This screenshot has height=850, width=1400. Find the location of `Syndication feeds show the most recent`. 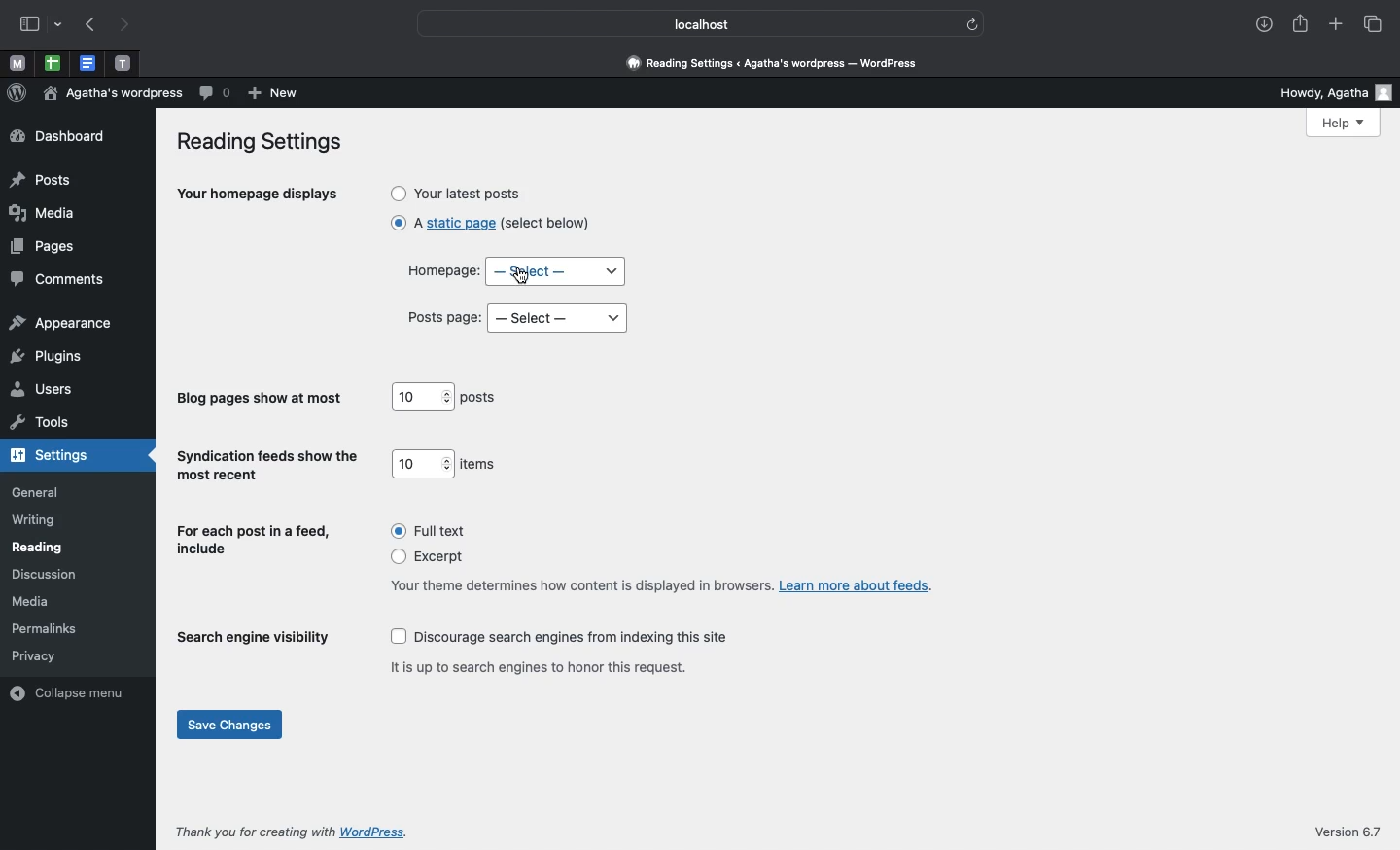

Syndication feeds show the most recent is located at coordinates (268, 466).